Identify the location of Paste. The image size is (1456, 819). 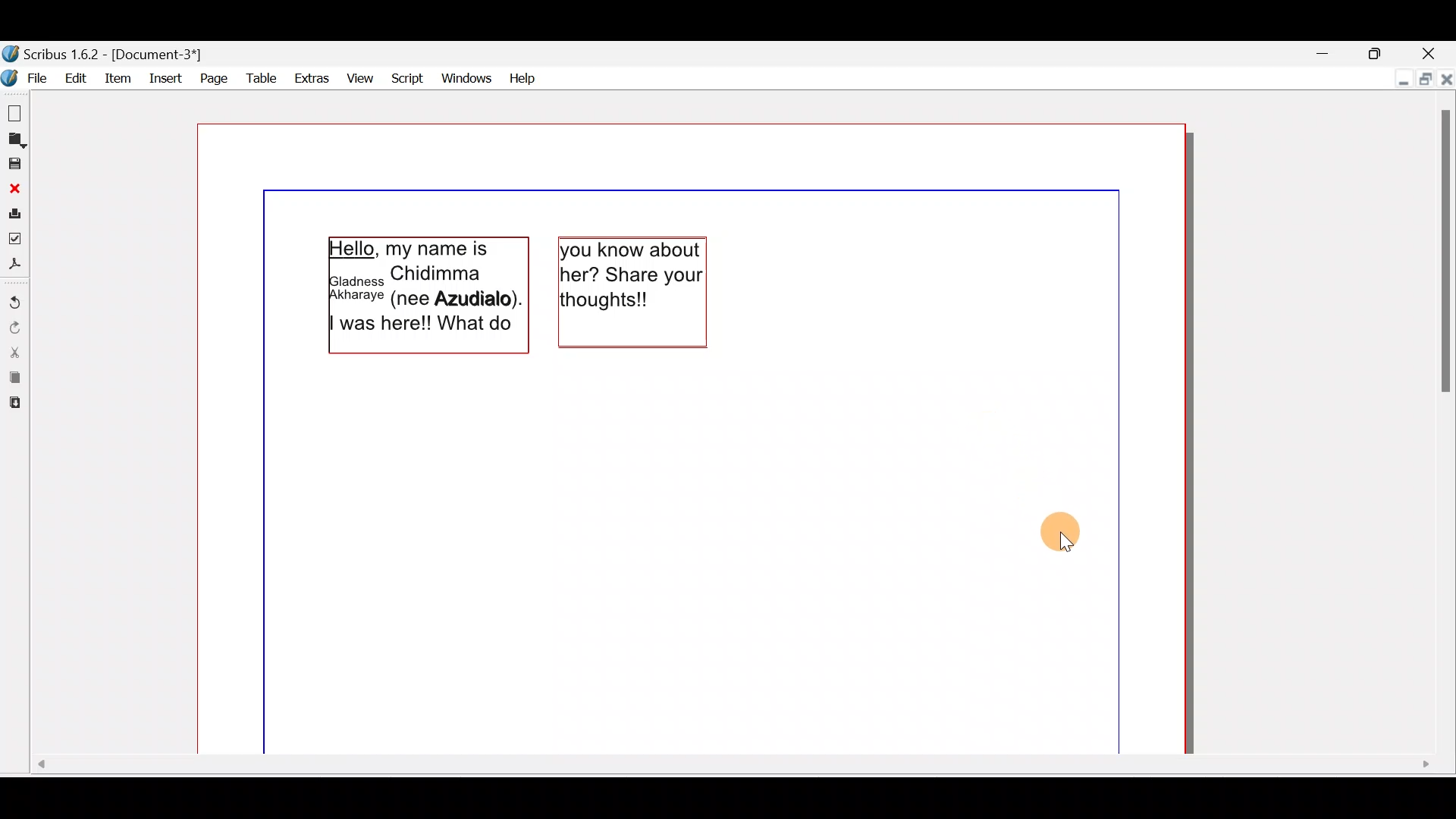
(15, 406).